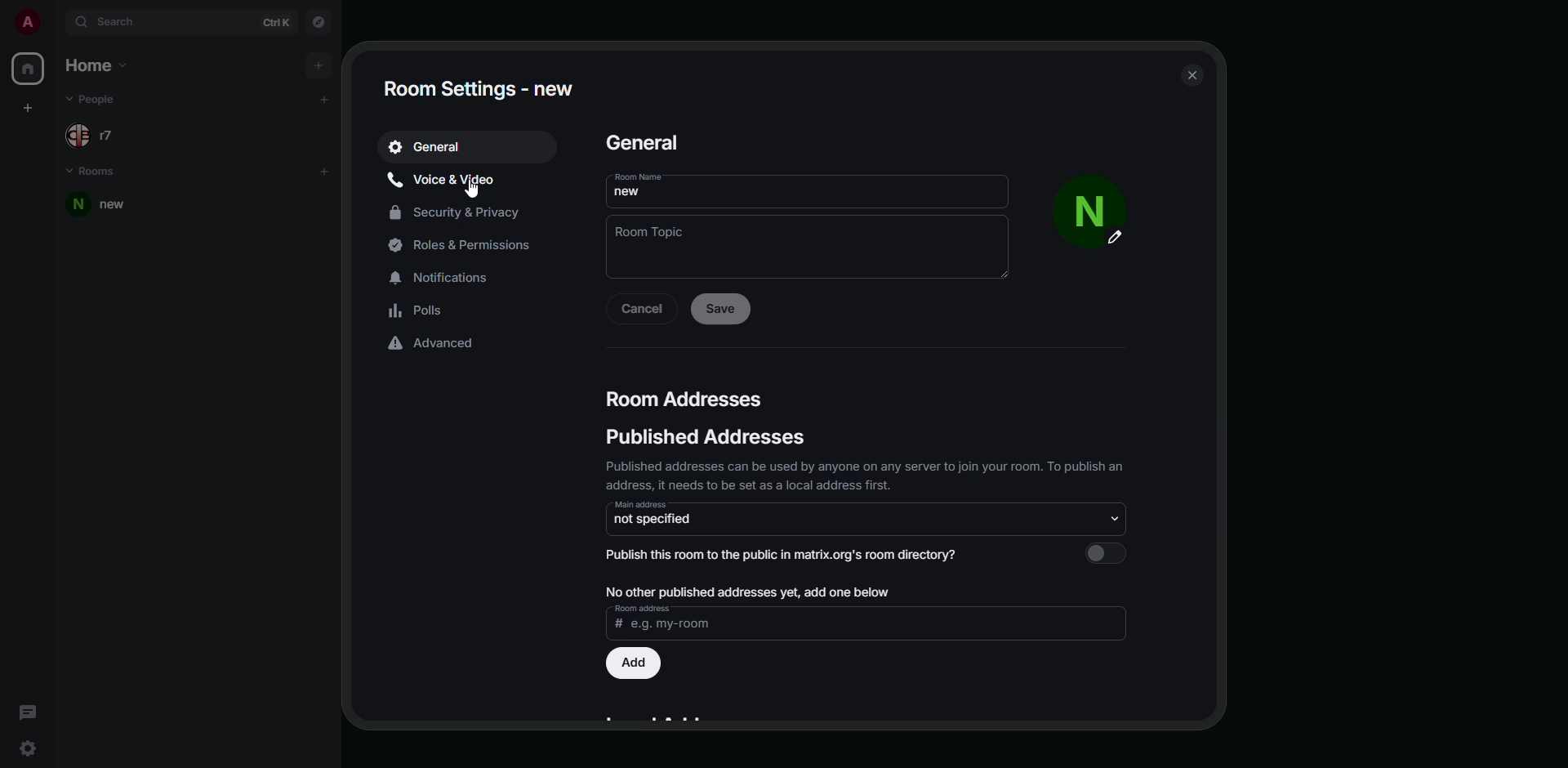  Describe the element at coordinates (27, 710) in the screenshot. I see `threads` at that location.